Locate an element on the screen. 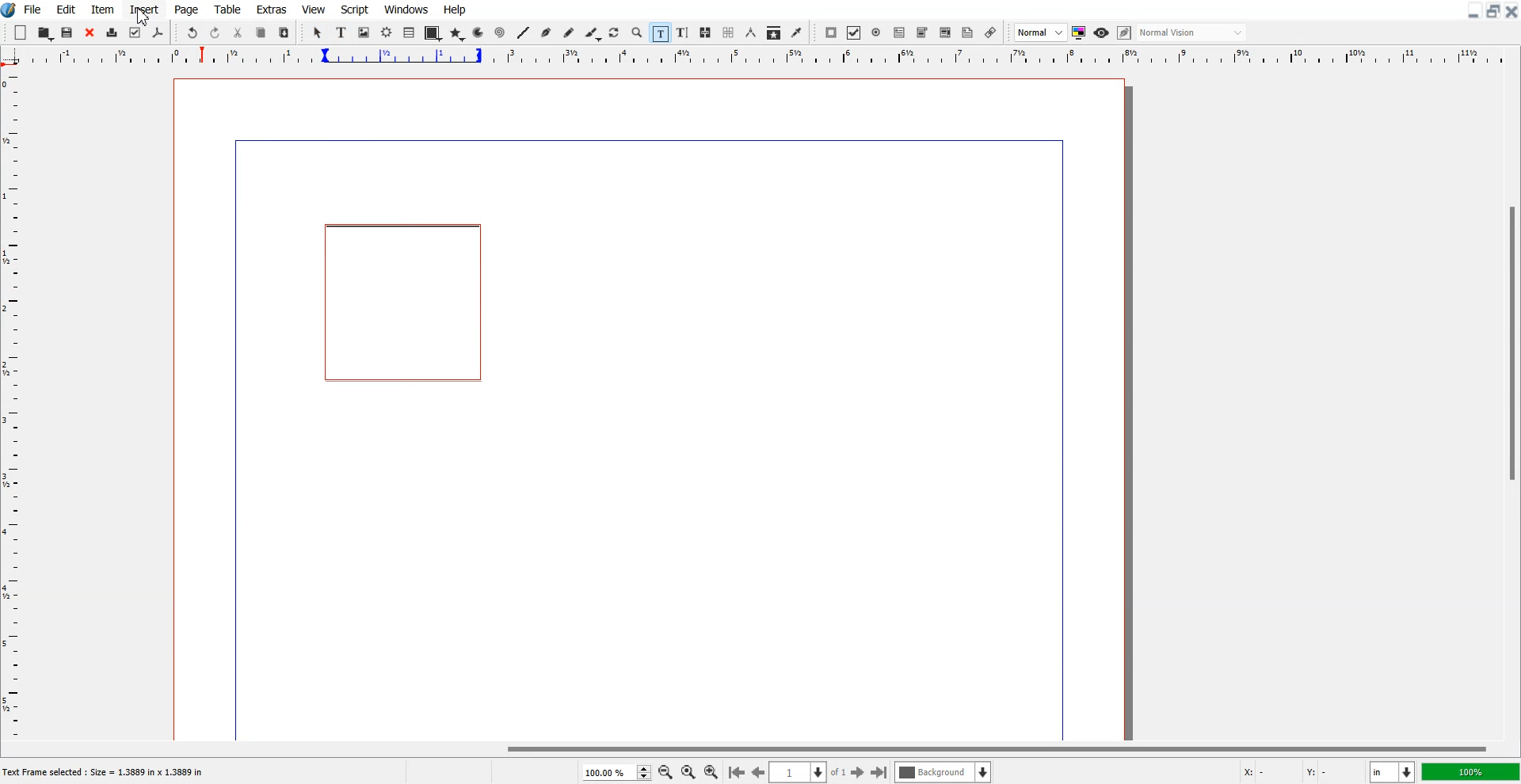  Edit text with story is located at coordinates (684, 33).